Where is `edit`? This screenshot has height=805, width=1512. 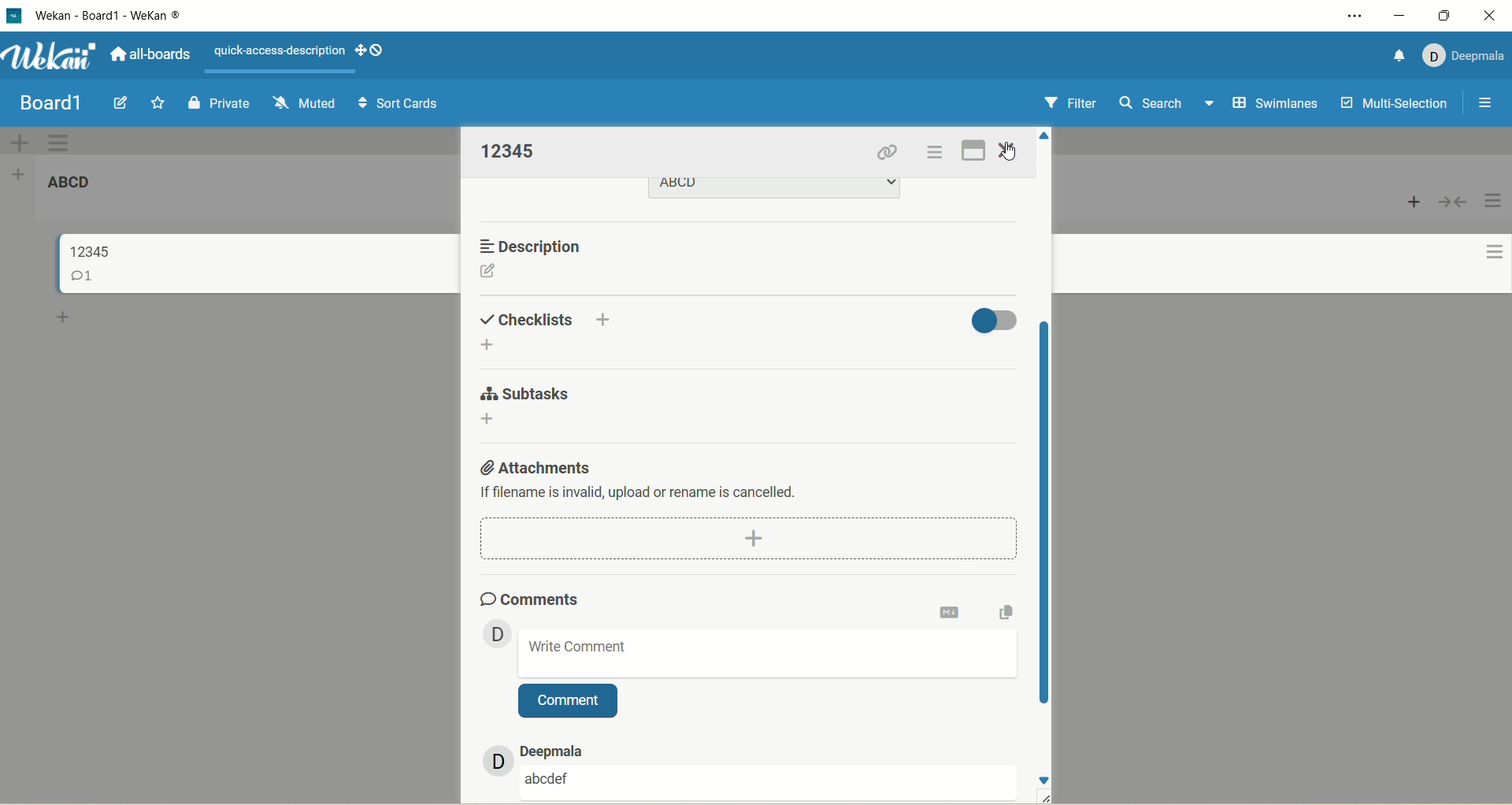 edit is located at coordinates (487, 273).